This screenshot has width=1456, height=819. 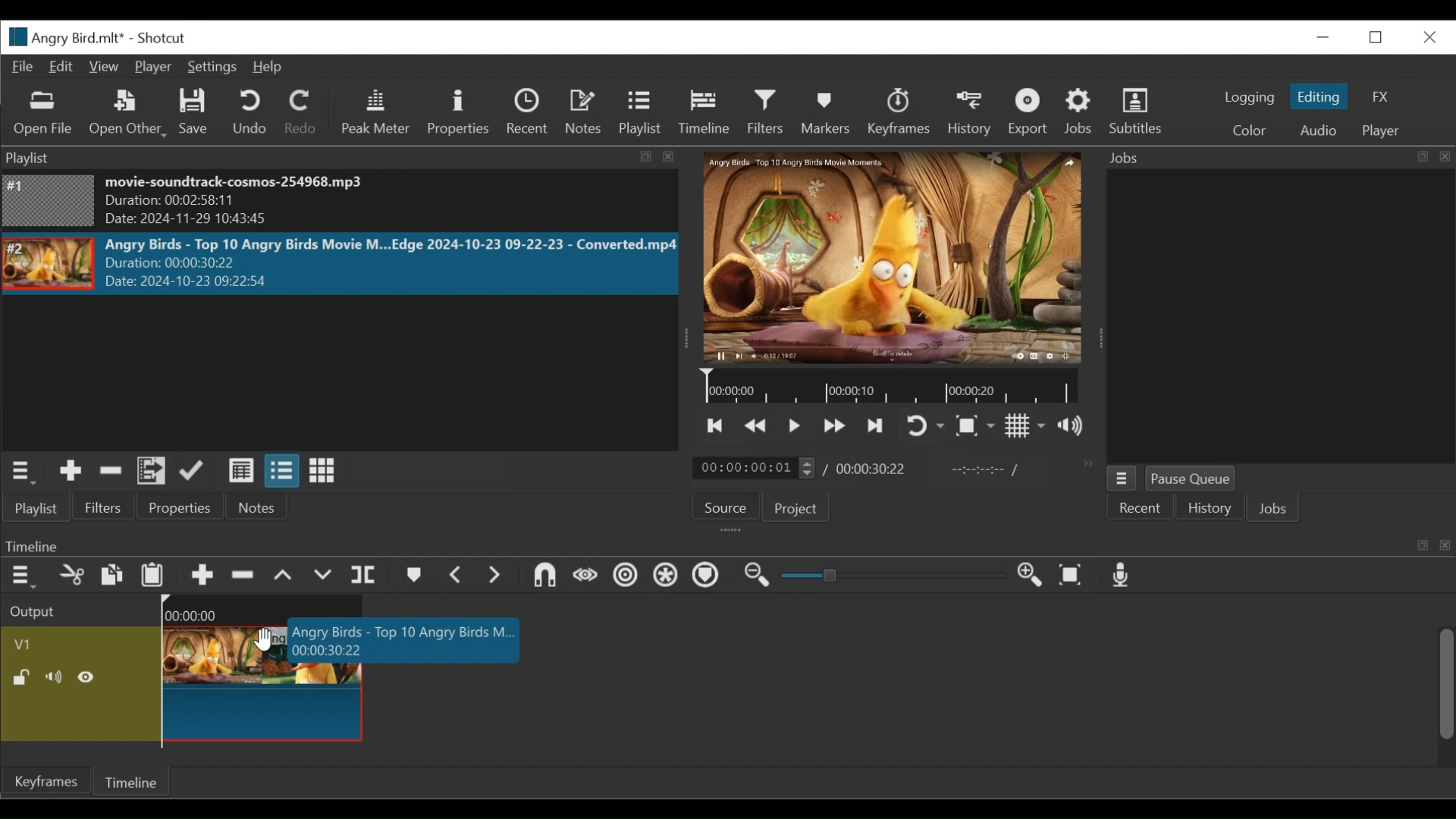 I want to click on Show volume control, so click(x=1075, y=428).